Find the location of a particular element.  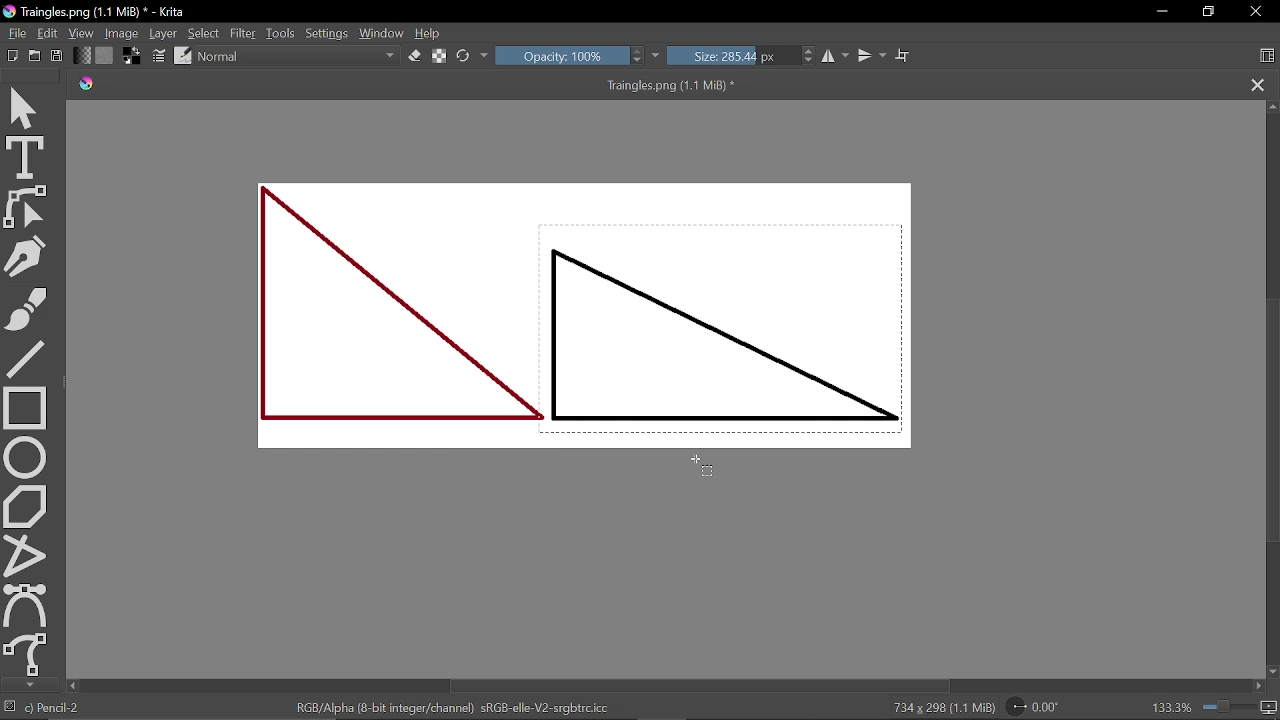

Gradient fill is located at coordinates (82, 56).